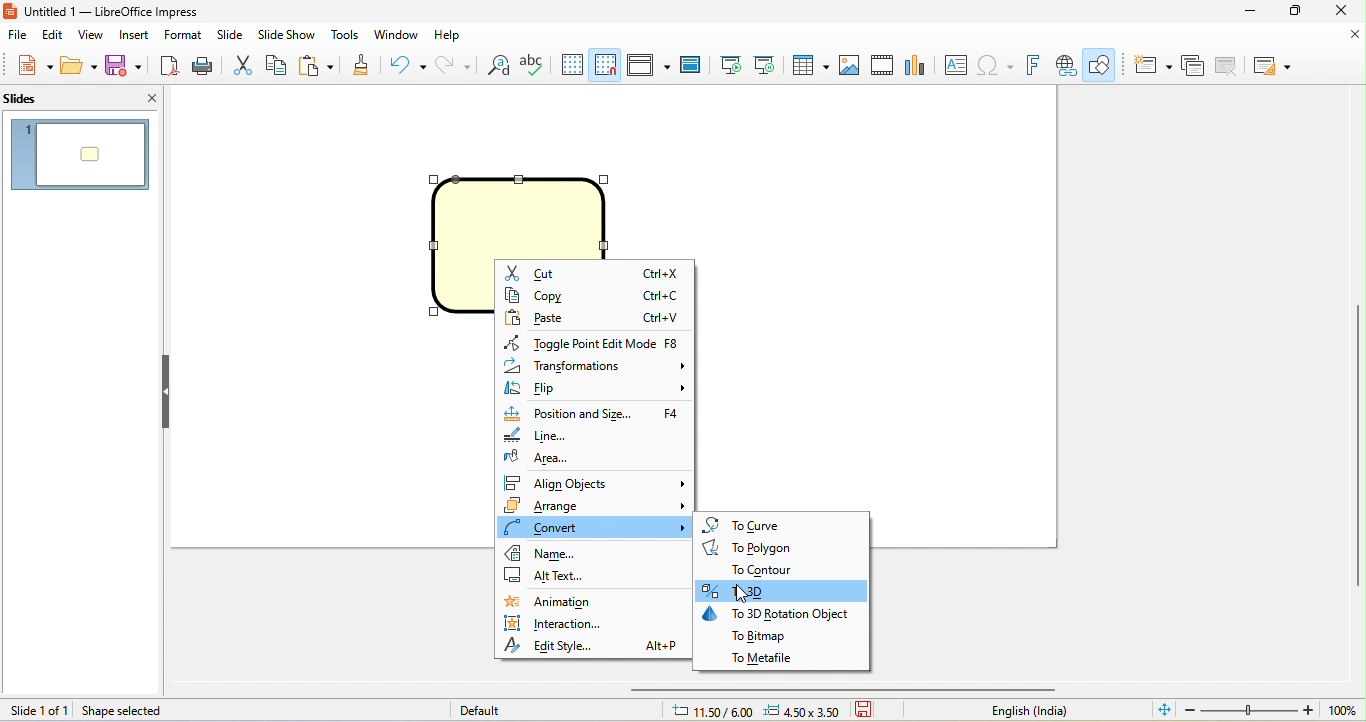 This screenshot has height=722, width=1366. Describe the element at coordinates (607, 65) in the screenshot. I see `snap to grid` at that location.